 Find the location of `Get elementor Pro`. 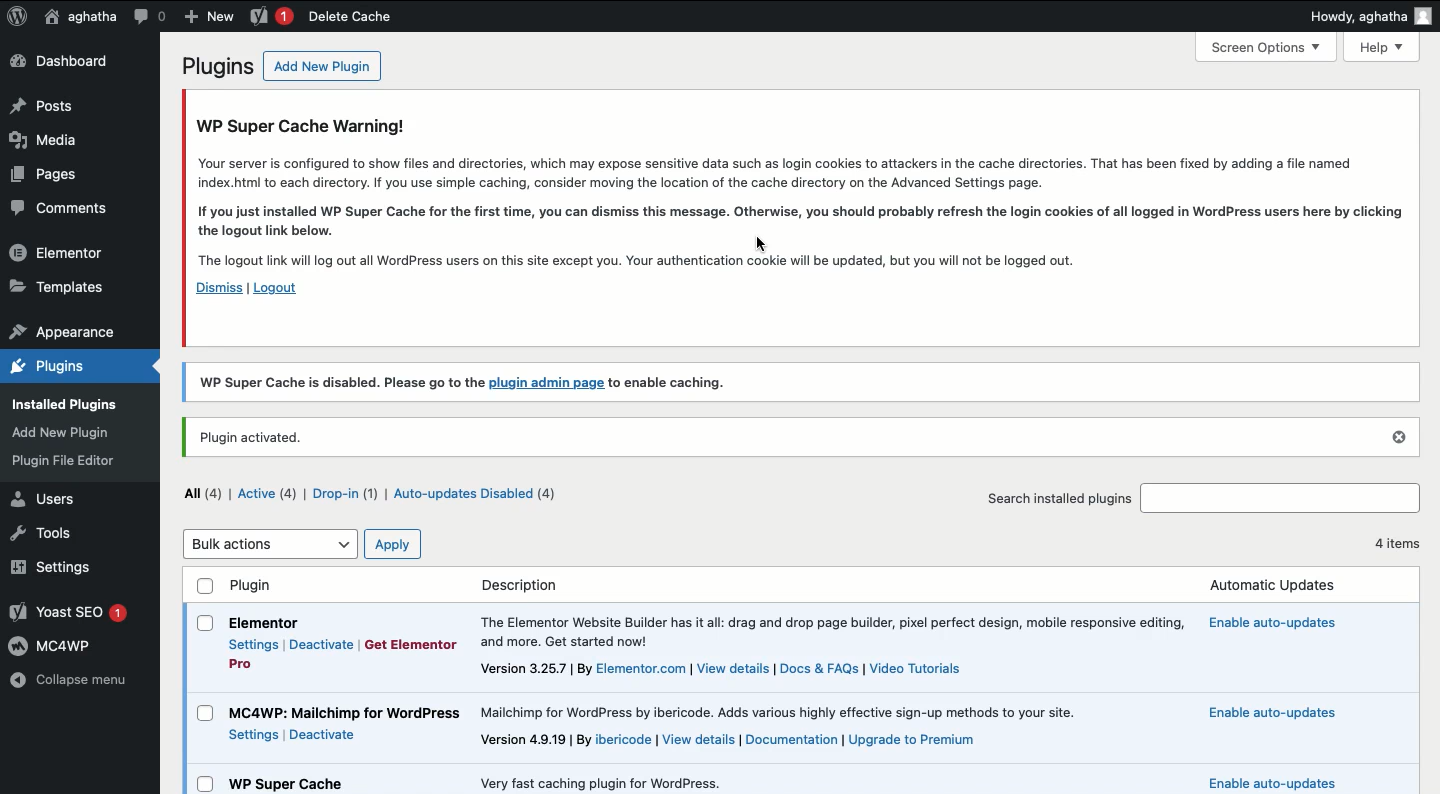

Get elementor Pro is located at coordinates (408, 643).